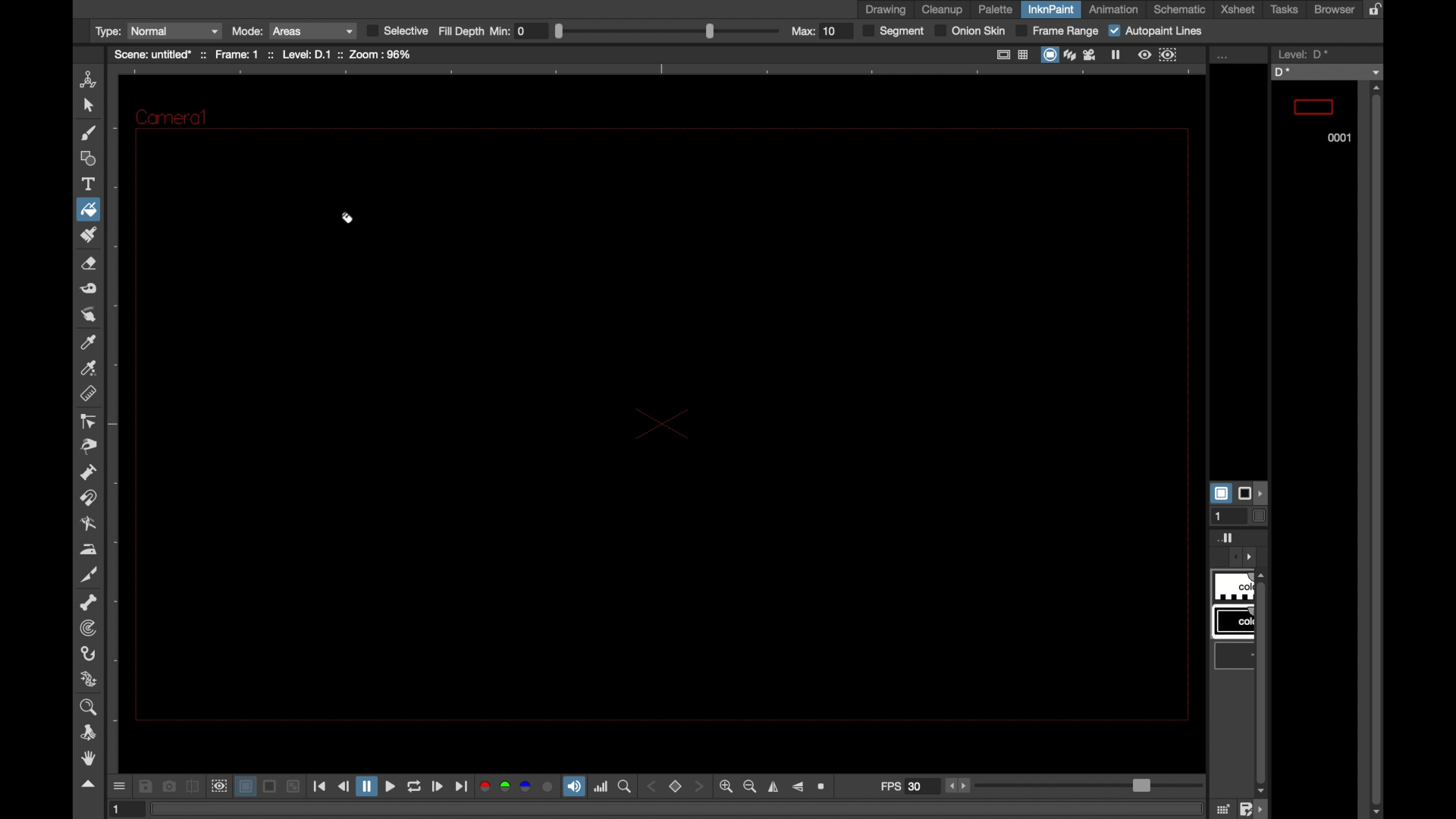  I want to click on color picker tool, so click(88, 341).